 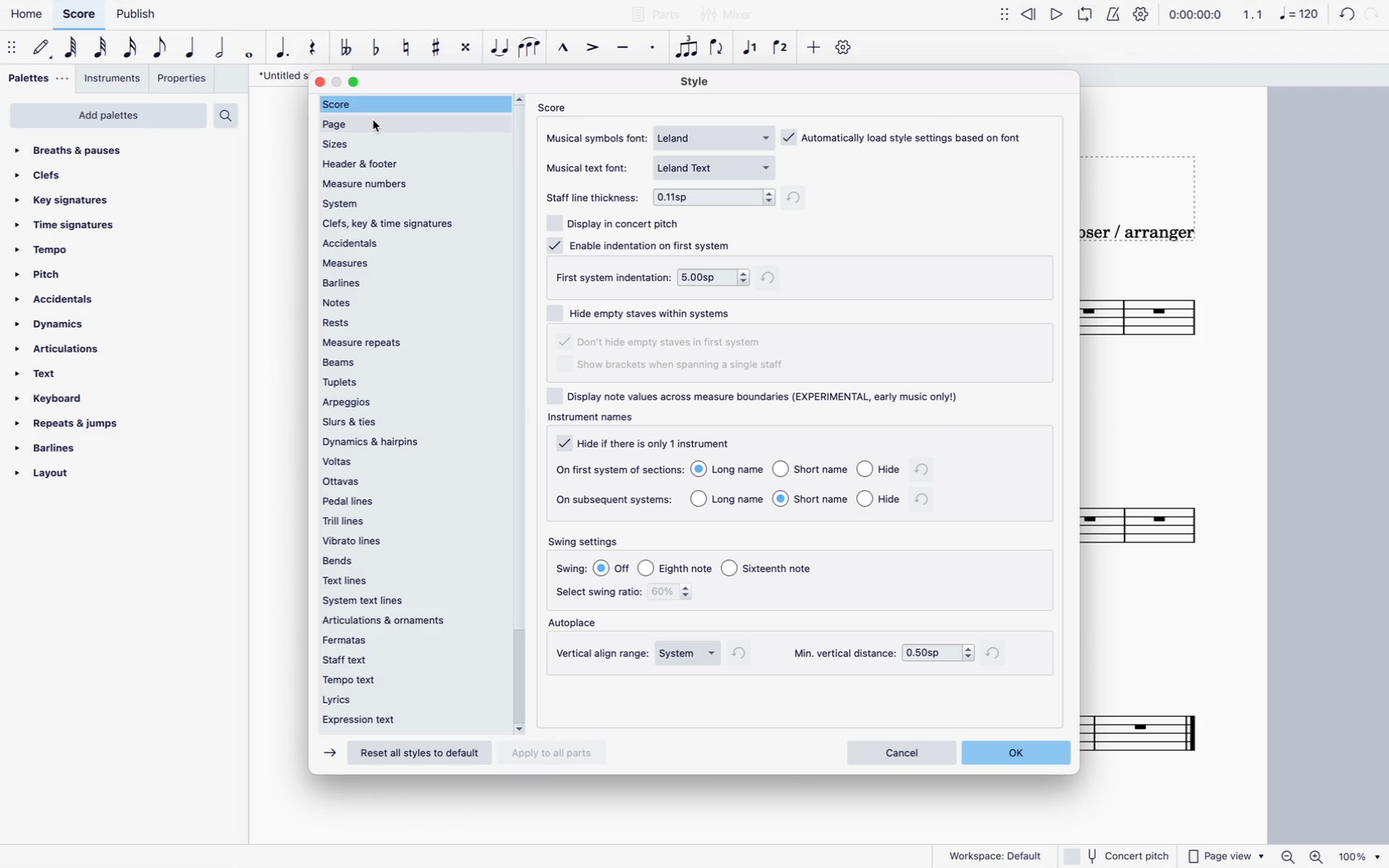 What do you see at coordinates (403, 362) in the screenshot?
I see `beams` at bounding box center [403, 362].